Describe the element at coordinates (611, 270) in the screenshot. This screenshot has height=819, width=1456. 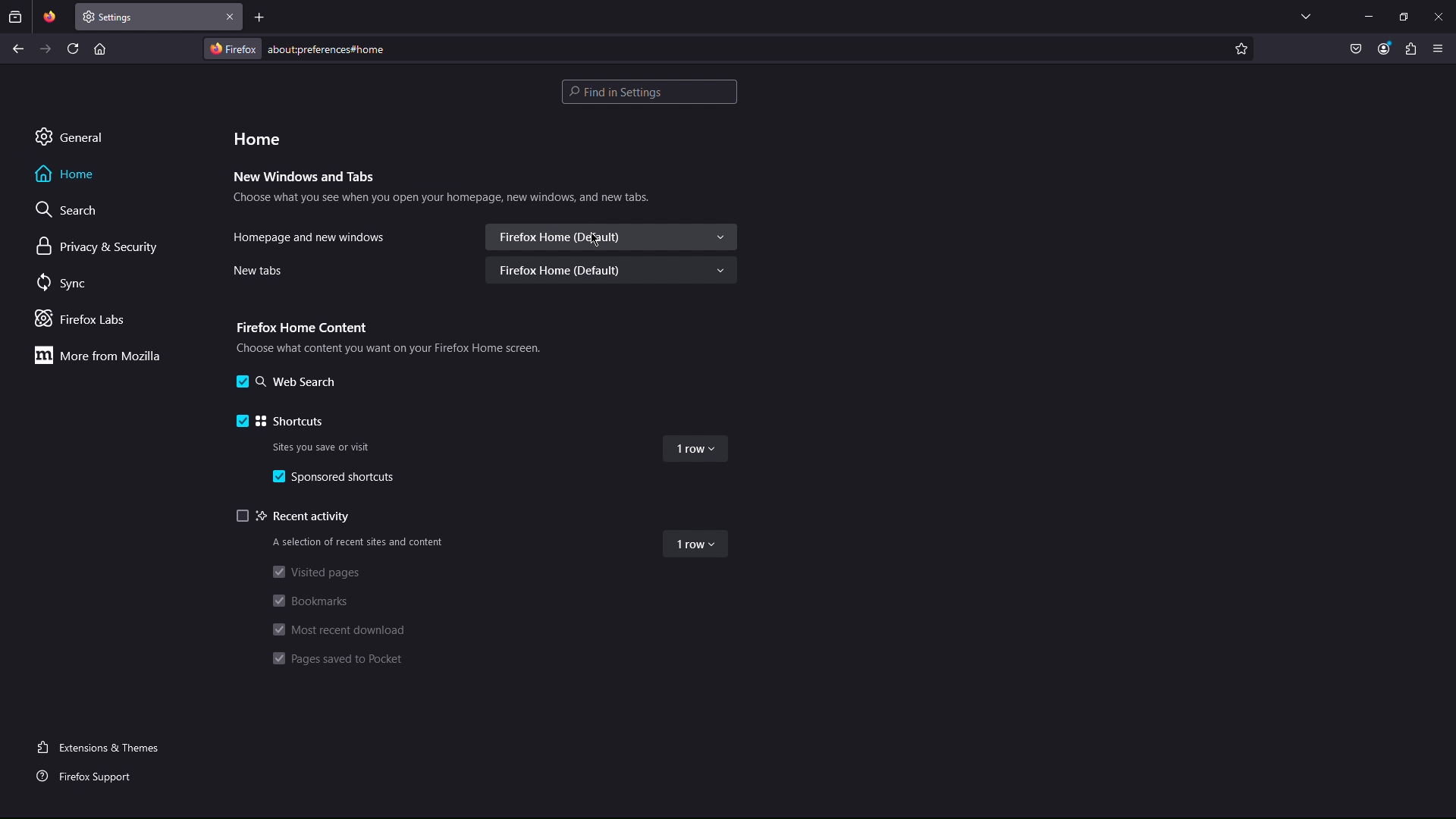
I see `Firefox Home (Default)` at that location.